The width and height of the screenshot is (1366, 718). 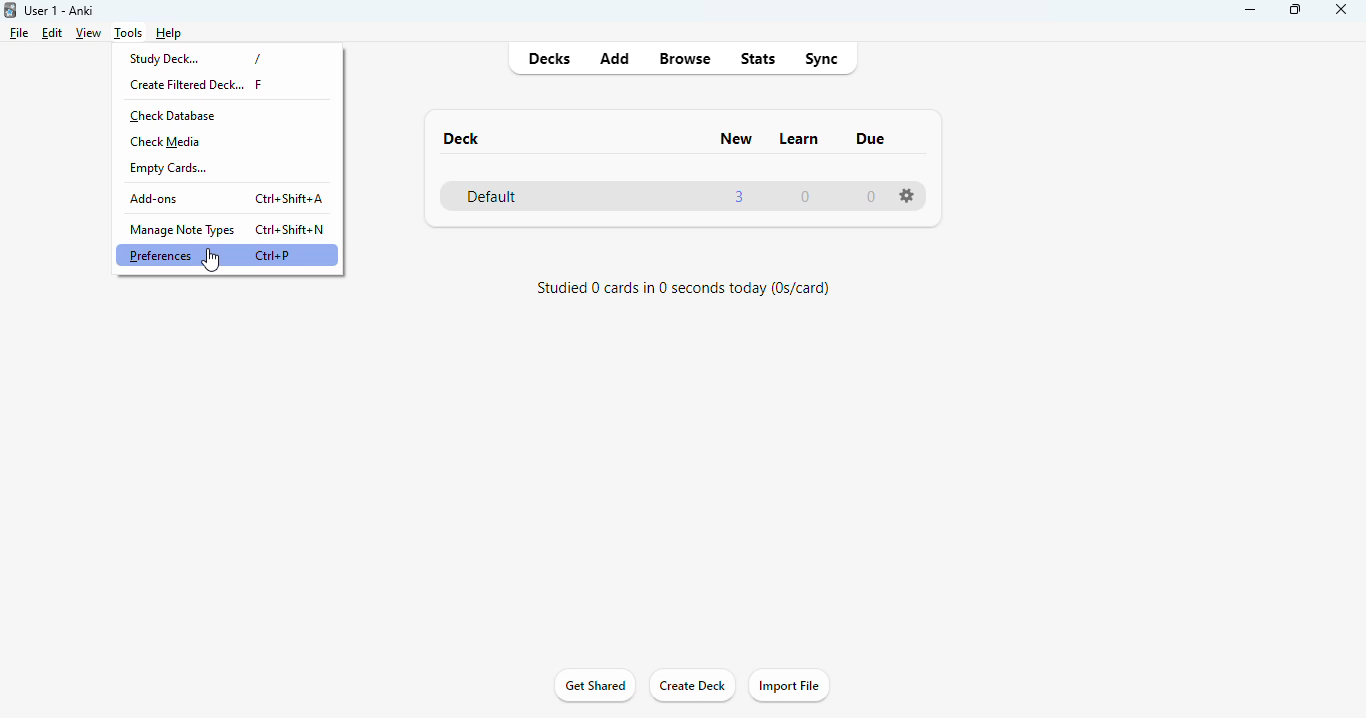 I want to click on maximize, so click(x=1295, y=10).